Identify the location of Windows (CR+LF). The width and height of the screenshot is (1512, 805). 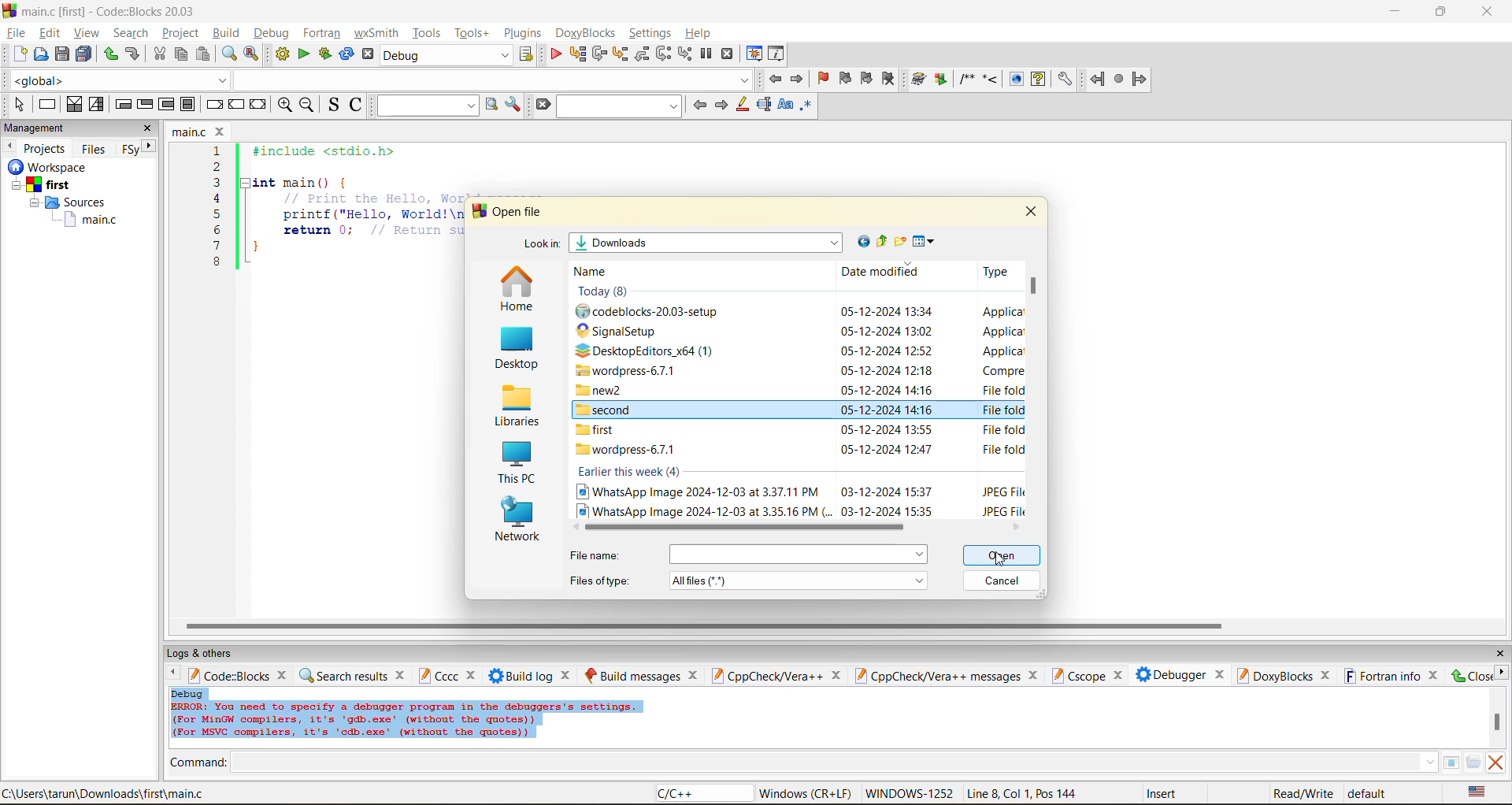
(807, 793).